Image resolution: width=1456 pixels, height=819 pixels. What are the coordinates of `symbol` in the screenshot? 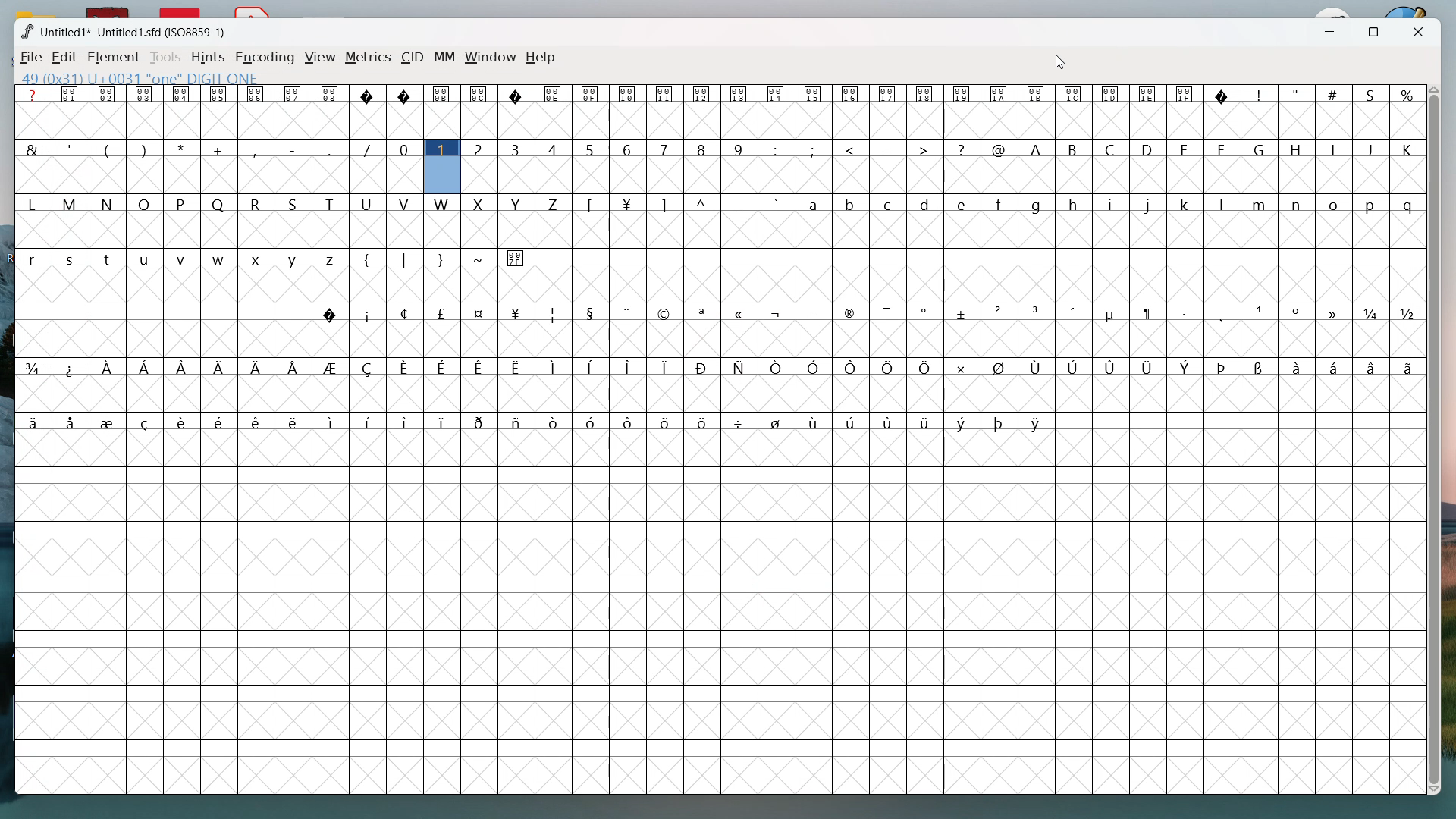 It's located at (31, 422).